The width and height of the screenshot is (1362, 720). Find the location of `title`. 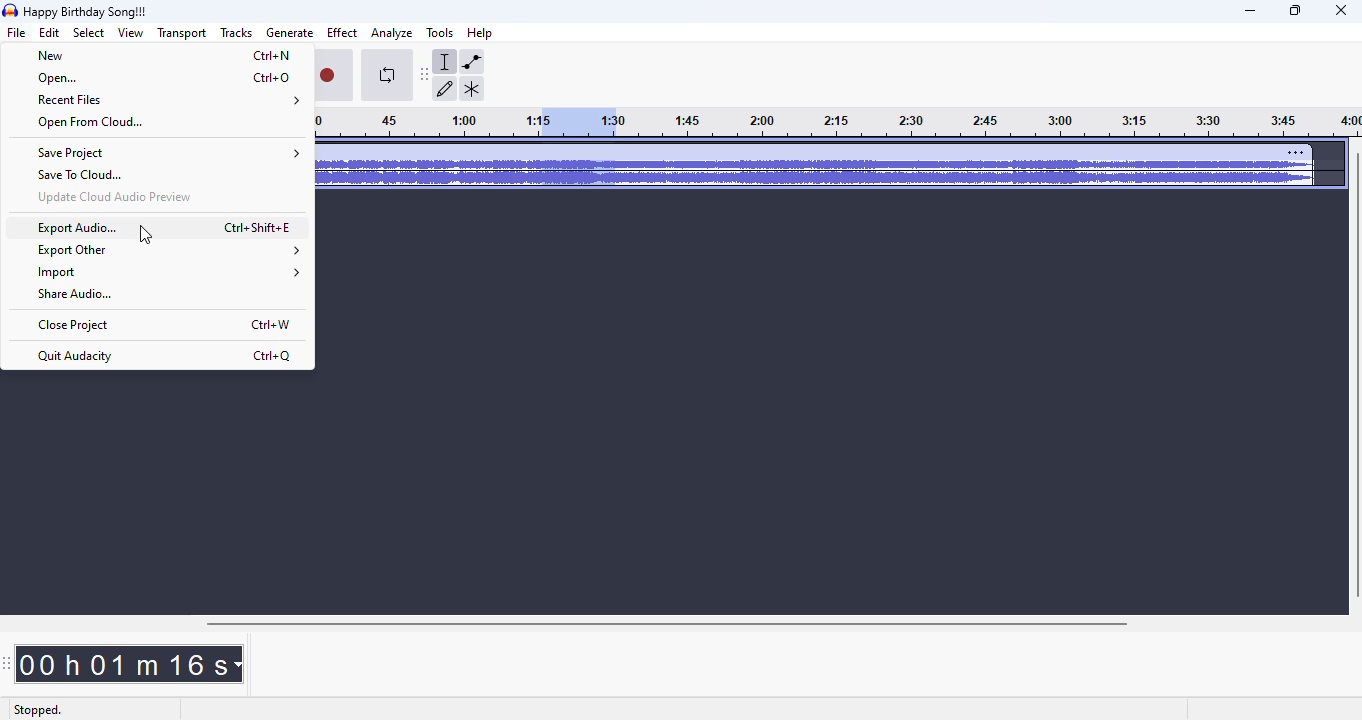

title is located at coordinates (87, 12).